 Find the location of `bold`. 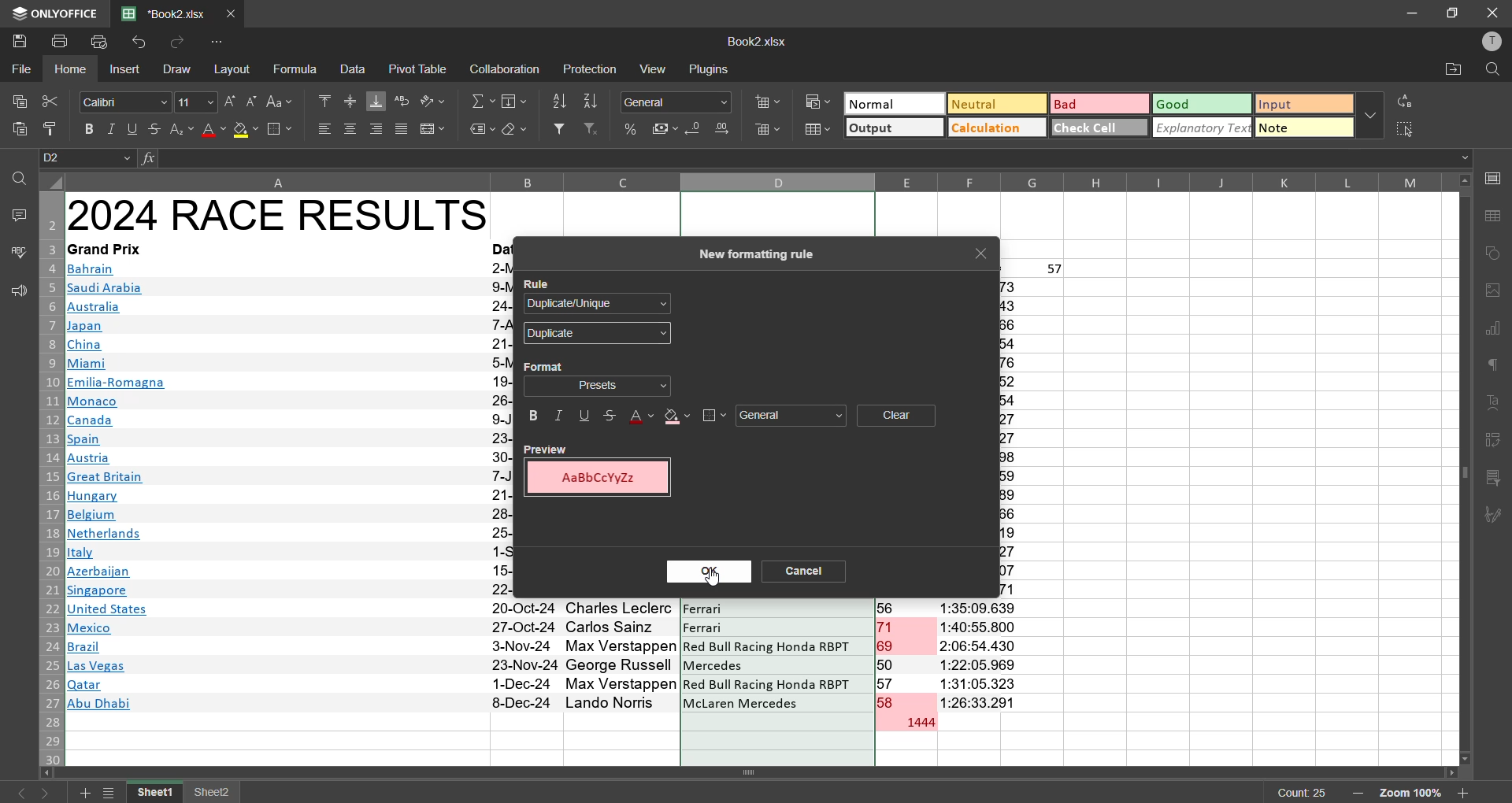

bold is located at coordinates (533, 418).